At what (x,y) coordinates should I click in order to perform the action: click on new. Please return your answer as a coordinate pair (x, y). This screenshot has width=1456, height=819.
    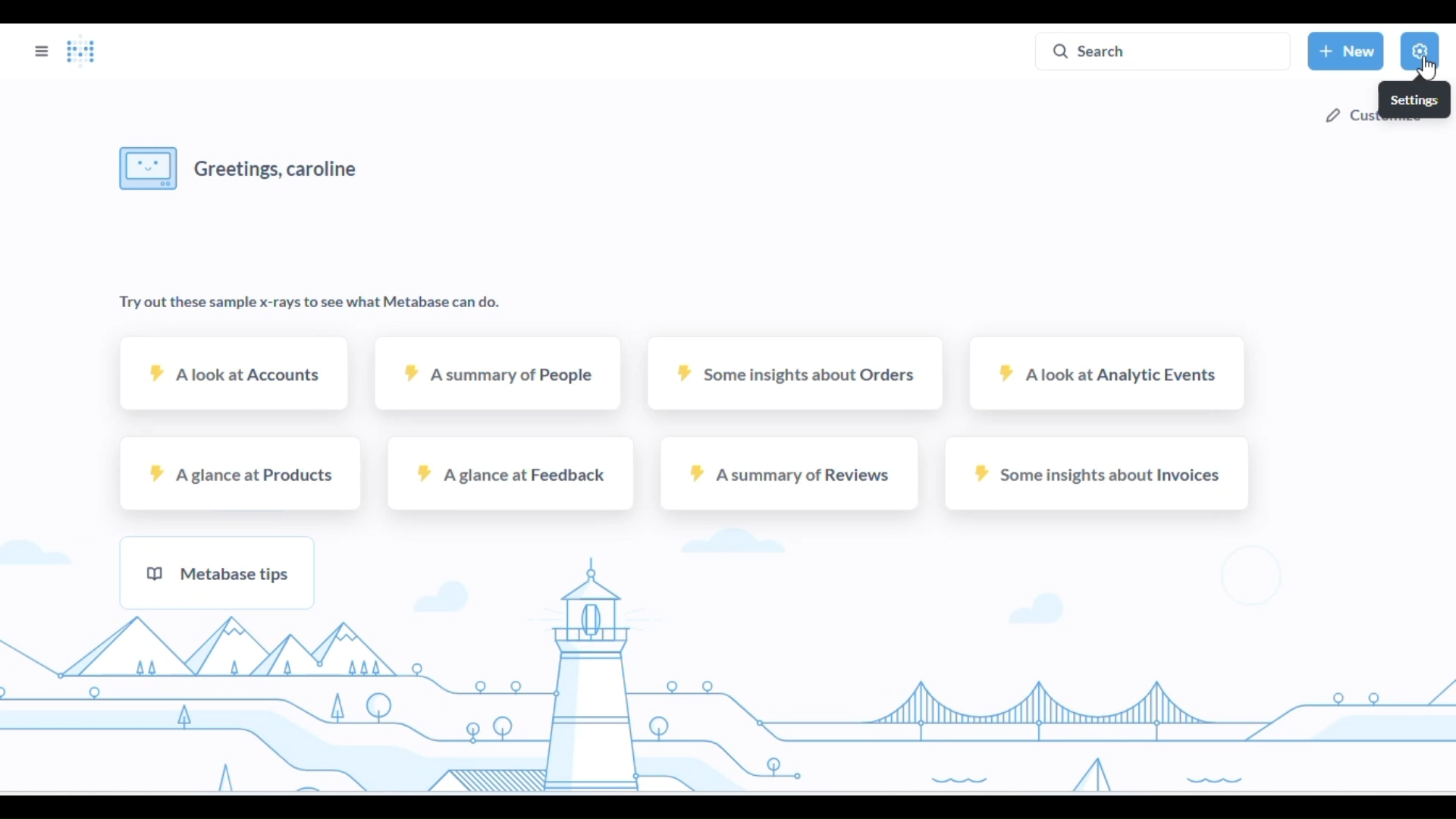
    Looking at the image, I should click on (1347, 50).